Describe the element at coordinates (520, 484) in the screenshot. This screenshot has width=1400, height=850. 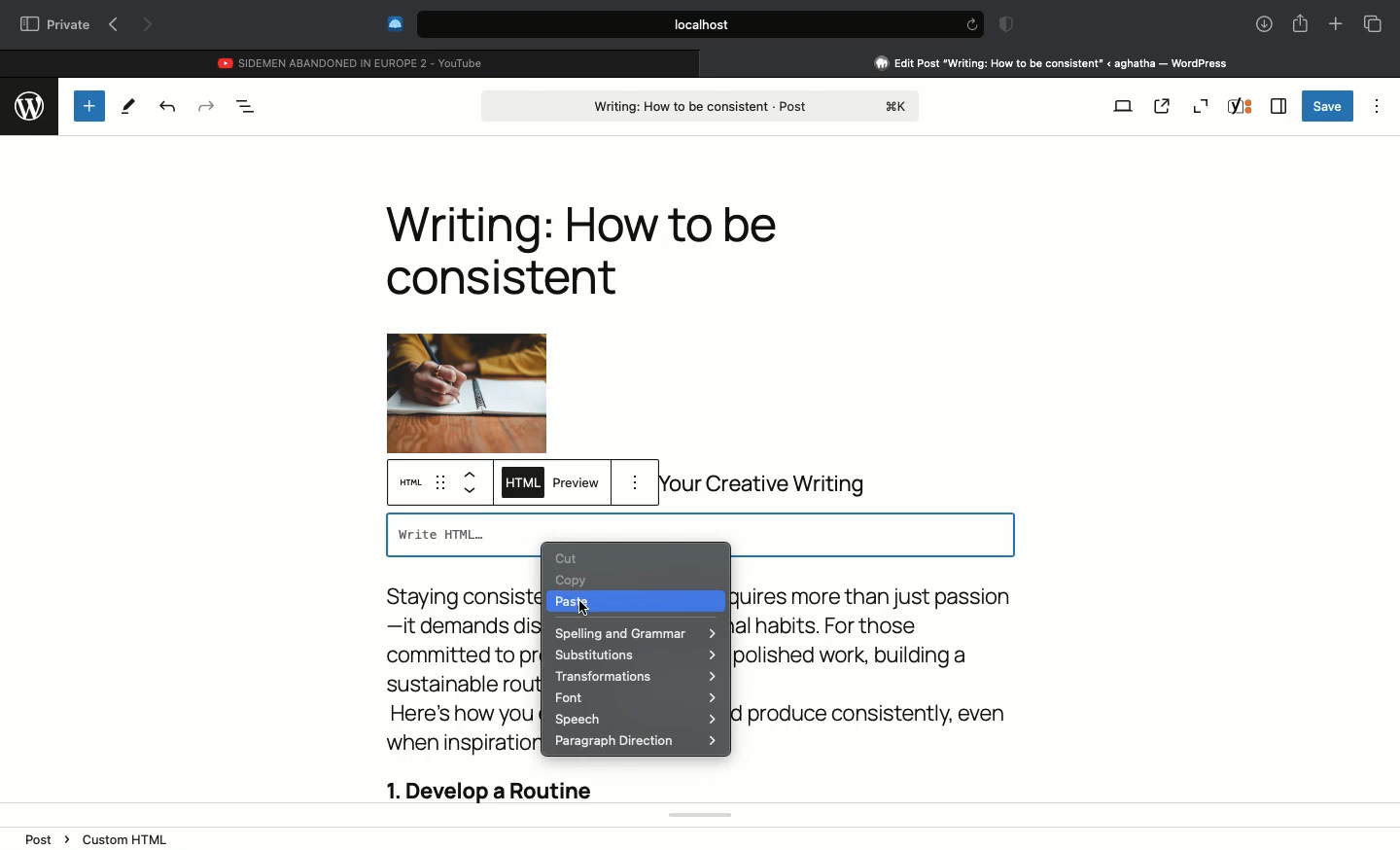
I see `HTML` at that location.